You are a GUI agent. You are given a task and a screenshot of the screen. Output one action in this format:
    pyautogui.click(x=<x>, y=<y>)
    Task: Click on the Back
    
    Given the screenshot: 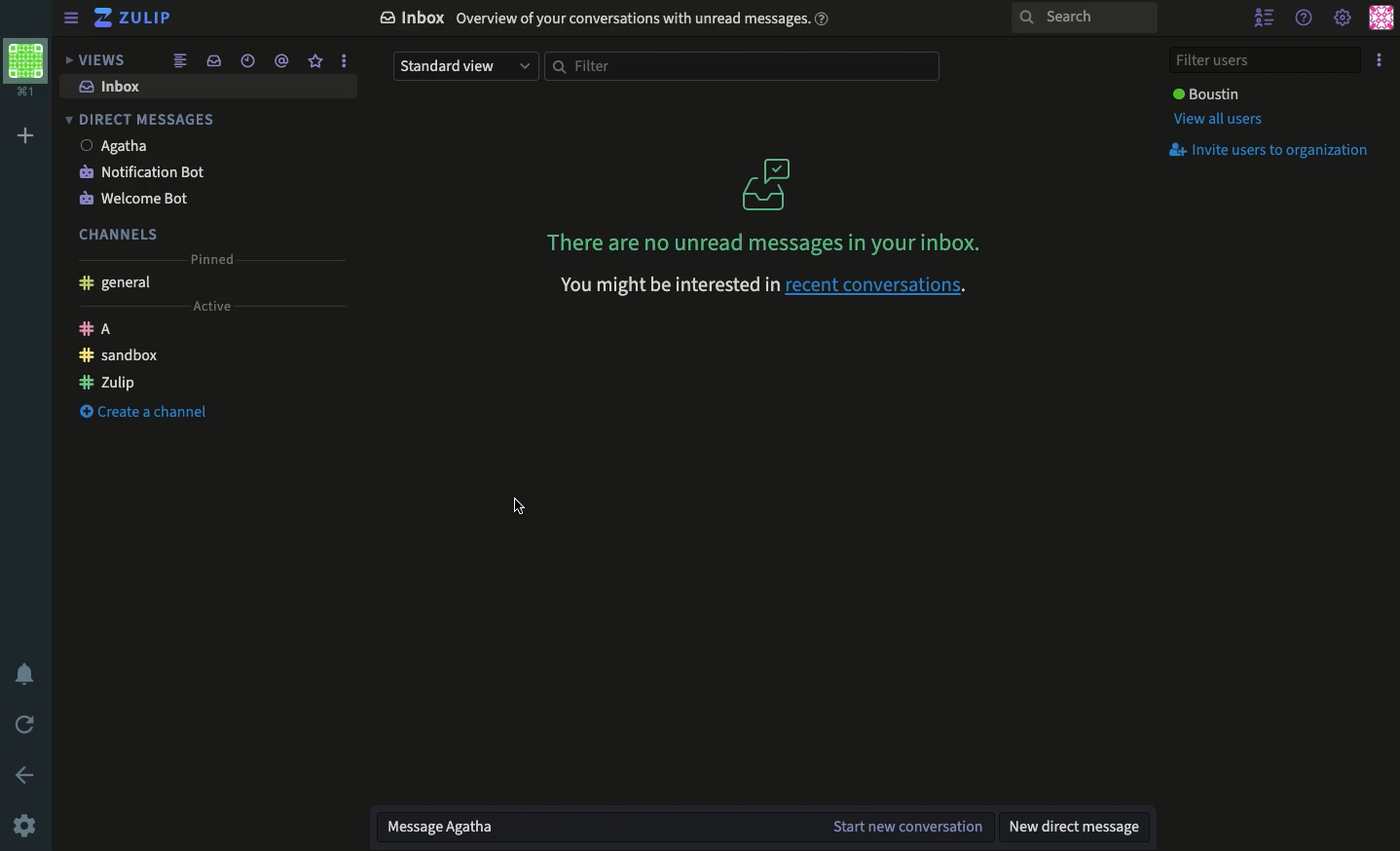 What is the action you would take?
    pyautogui.click(x=25, y=775)
    